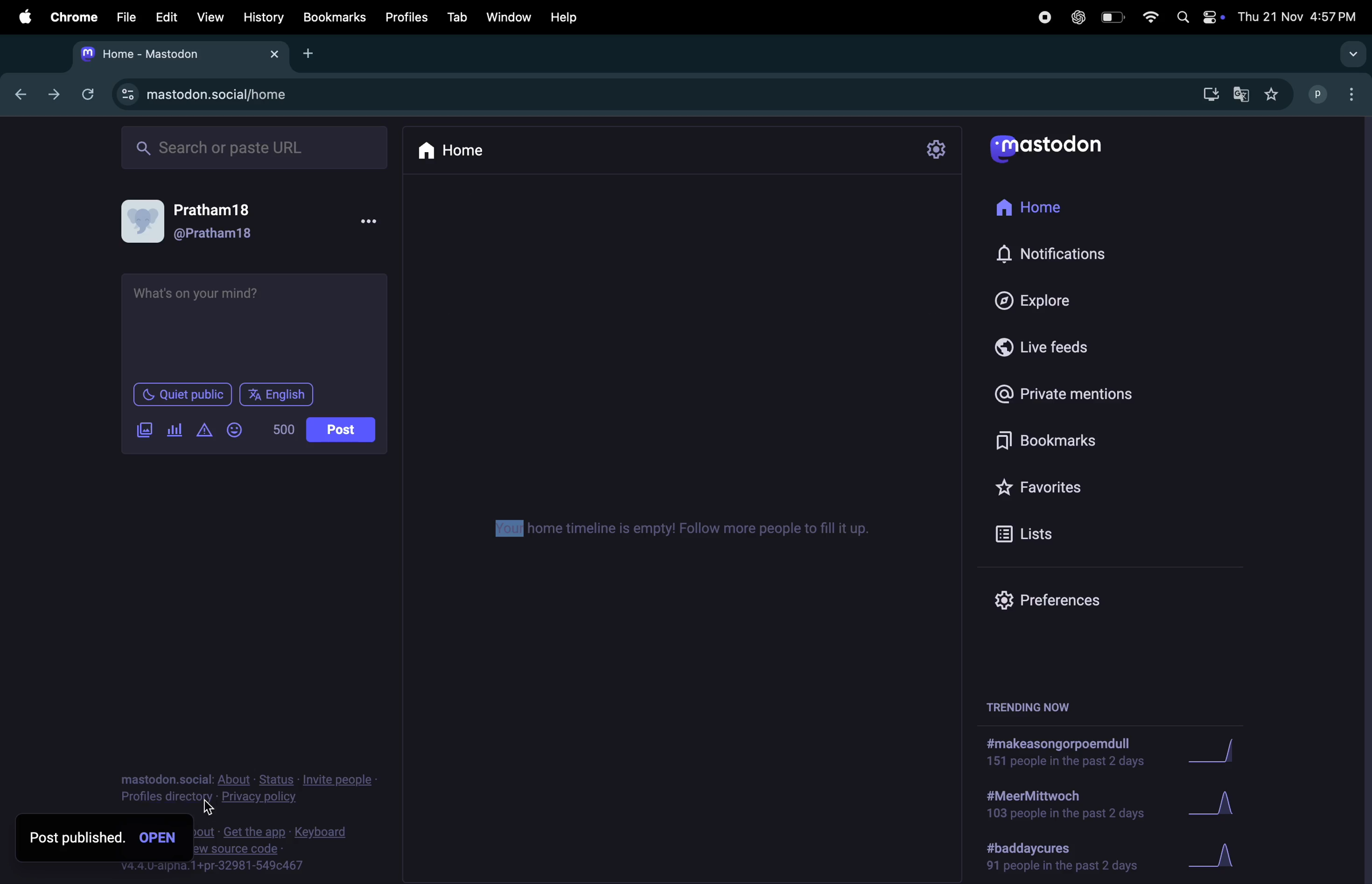  I want to click on Quiet in public, so click(182, 396).